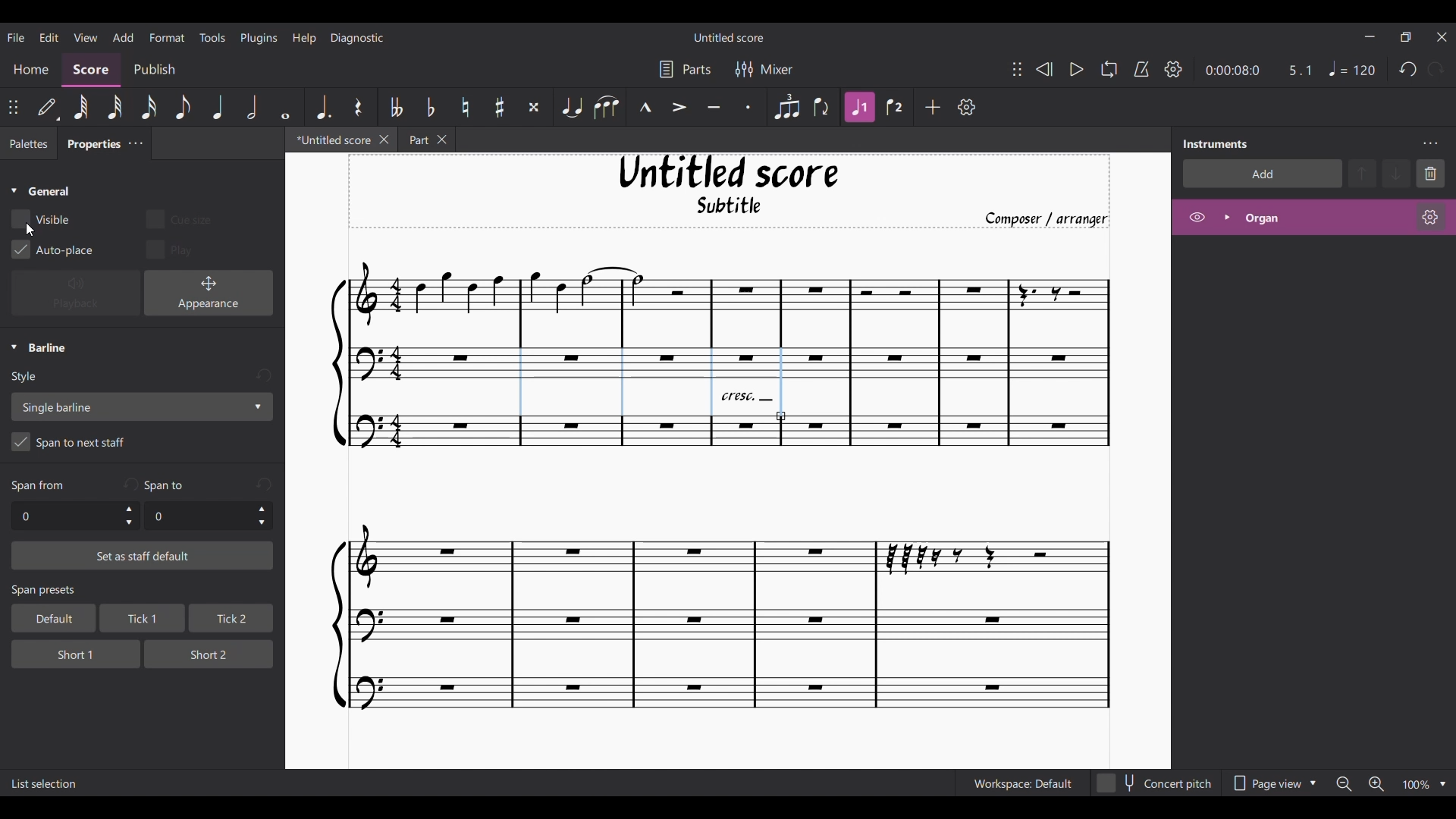 This screenshot has height=819, width=1456. I want to click on Diagnostic menu, so click(358, 37).